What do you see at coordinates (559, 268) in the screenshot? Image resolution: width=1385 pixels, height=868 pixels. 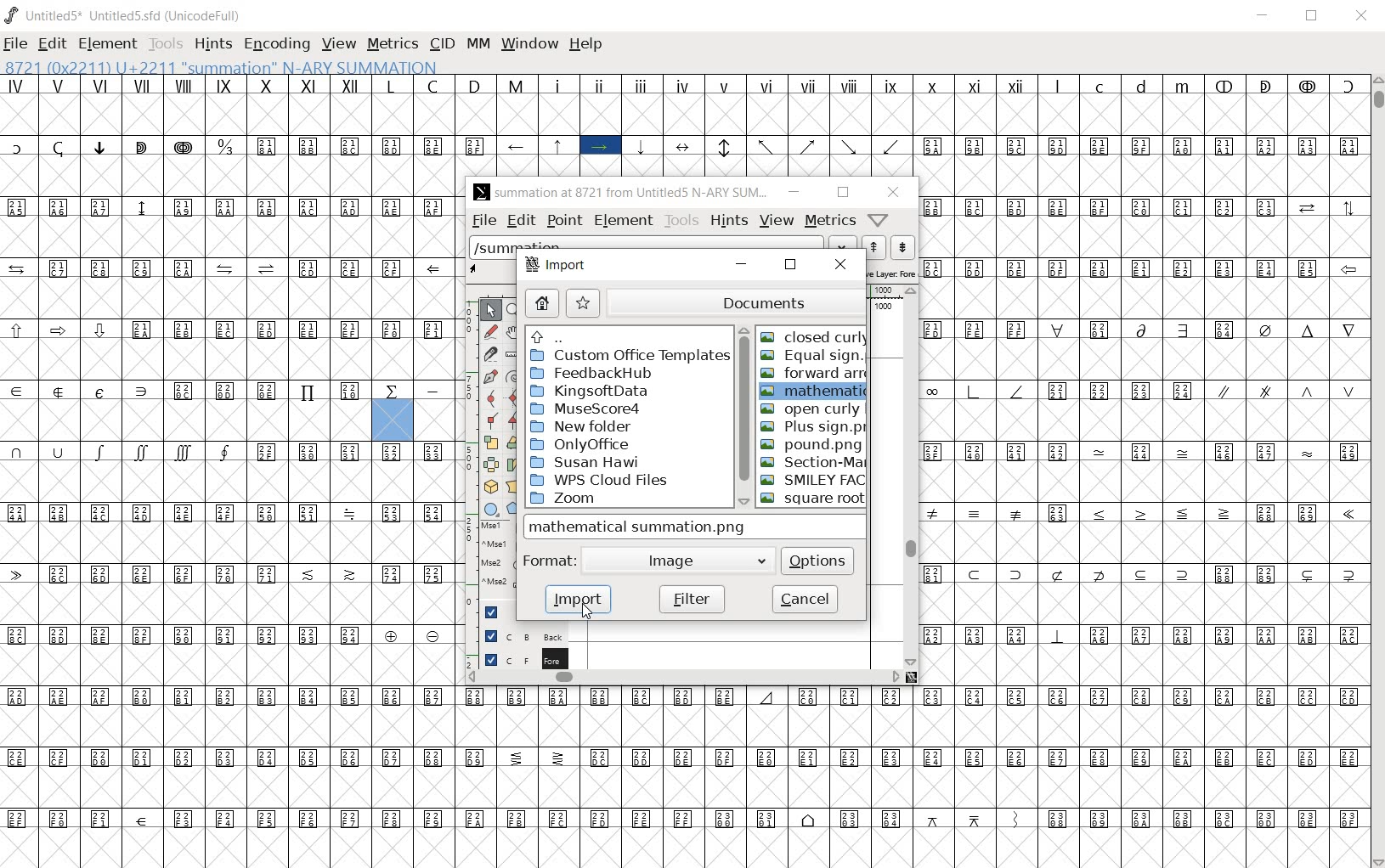 I see `import` at bounding box center [559, 268].